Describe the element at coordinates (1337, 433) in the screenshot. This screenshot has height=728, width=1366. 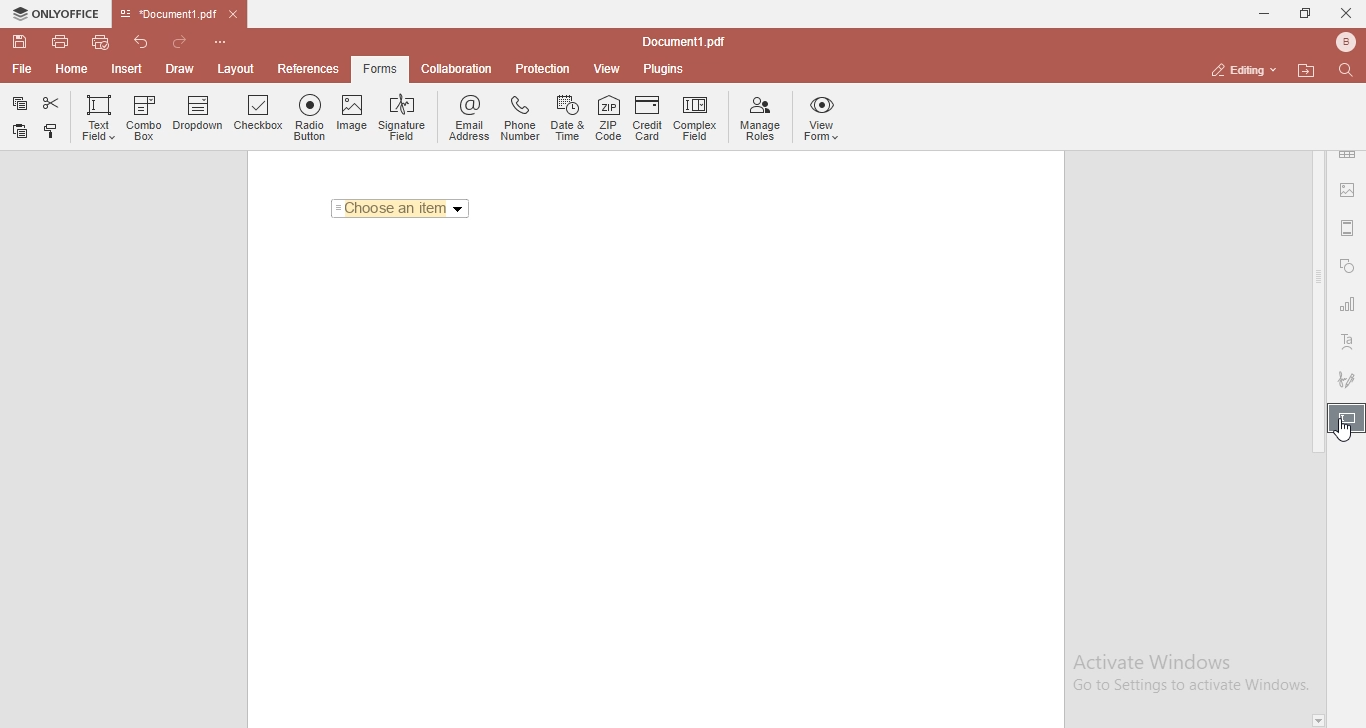
I see `cursor` at that location.